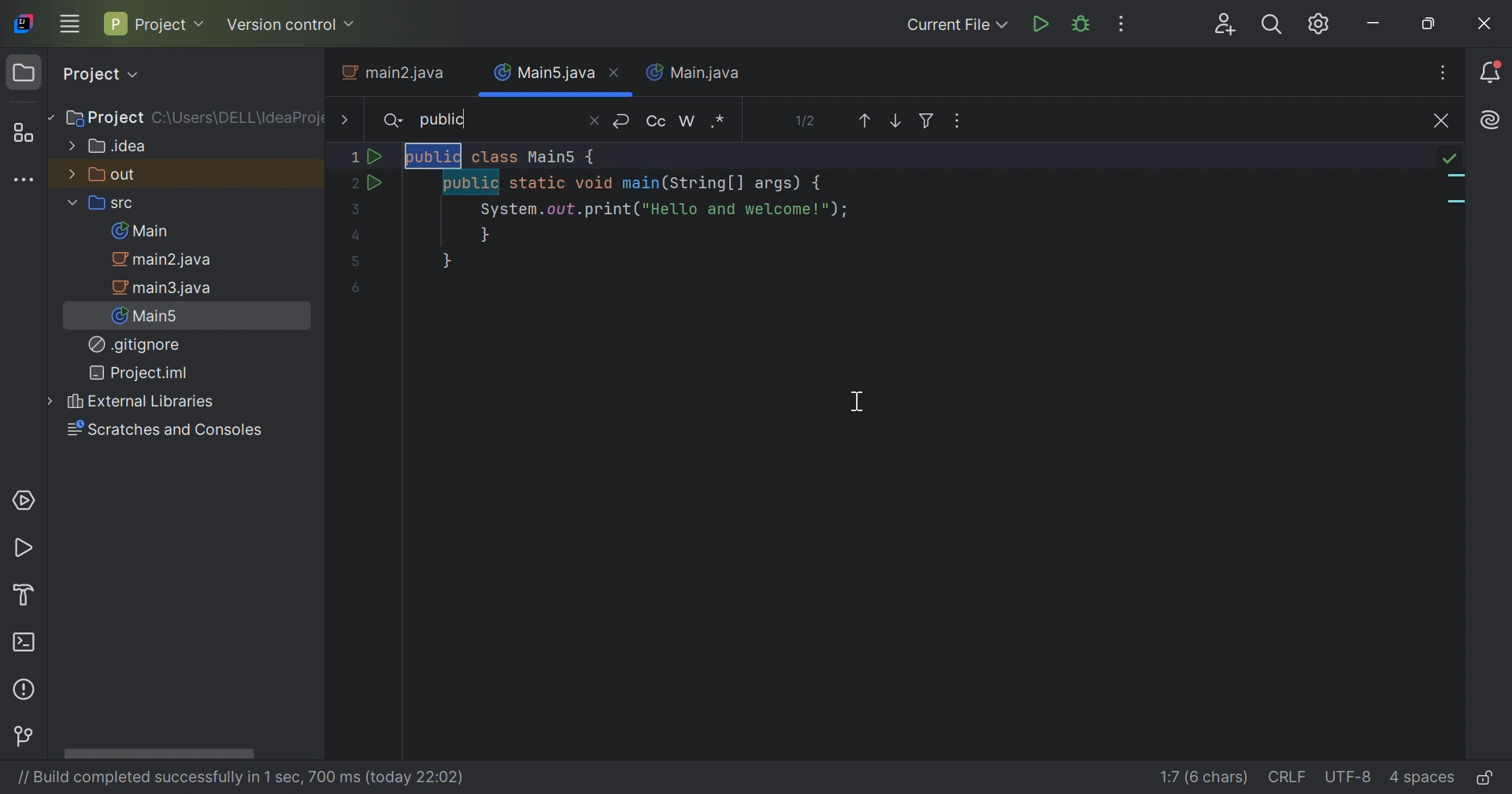 The width and height of the screenshot is (1512, 794). What do you see at coordinates (103, 173) in the screenshot?
I see `out` at bounding box center [103, 173].